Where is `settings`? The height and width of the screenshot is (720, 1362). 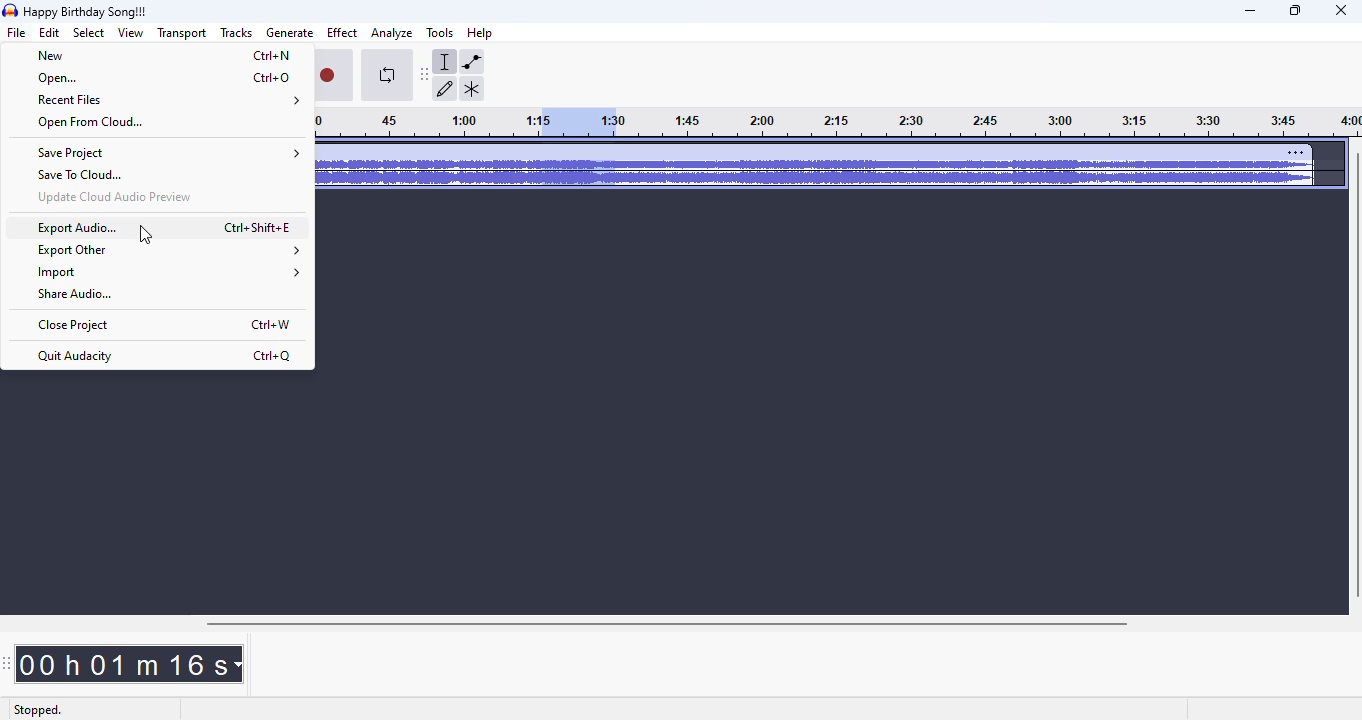
settings is located at coordinates (1296, 152).